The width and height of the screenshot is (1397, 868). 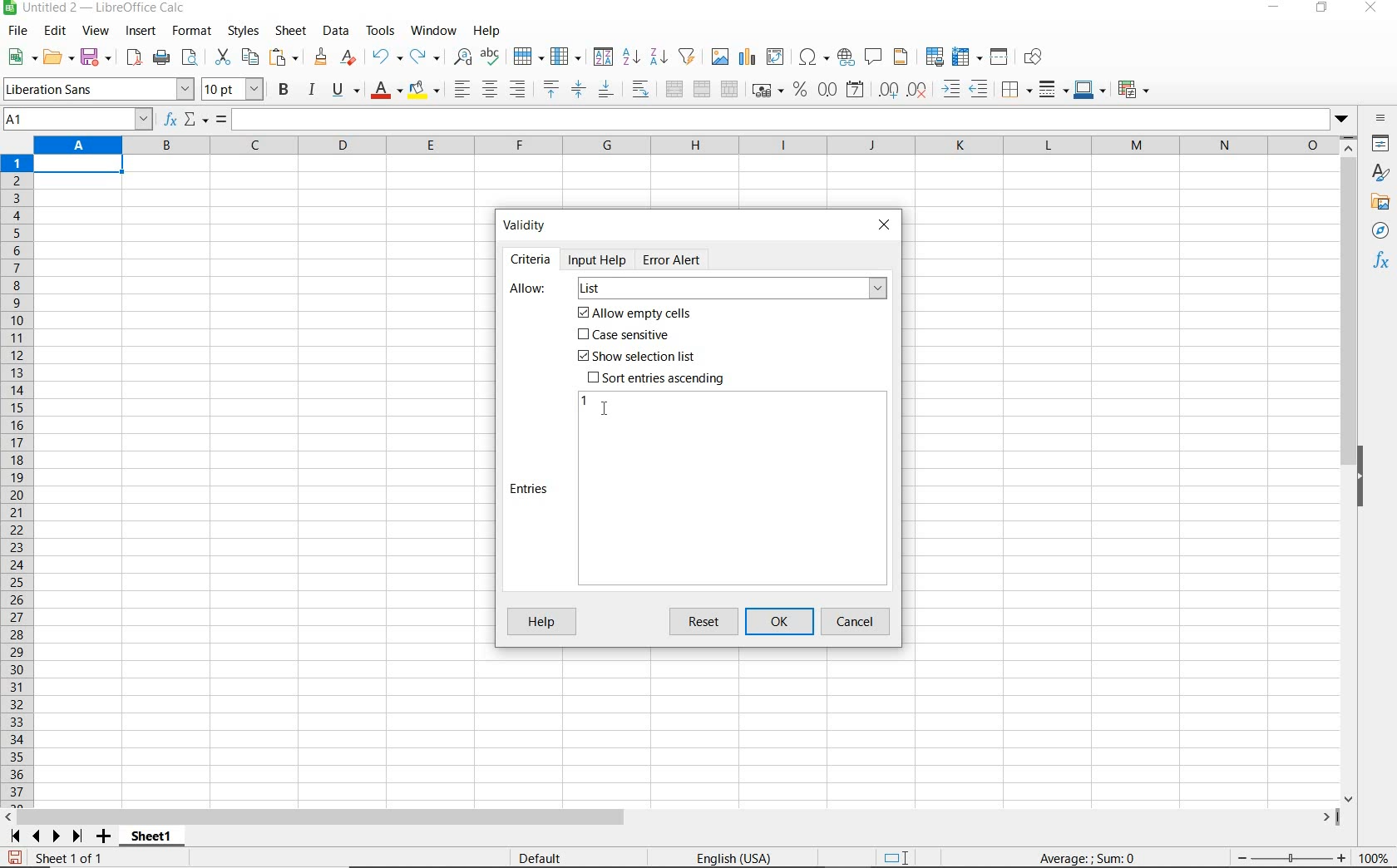 What do you see at coordinates (133, 57) in the screenshot?
I see `export as pdf` at bounding box center [133, 57].